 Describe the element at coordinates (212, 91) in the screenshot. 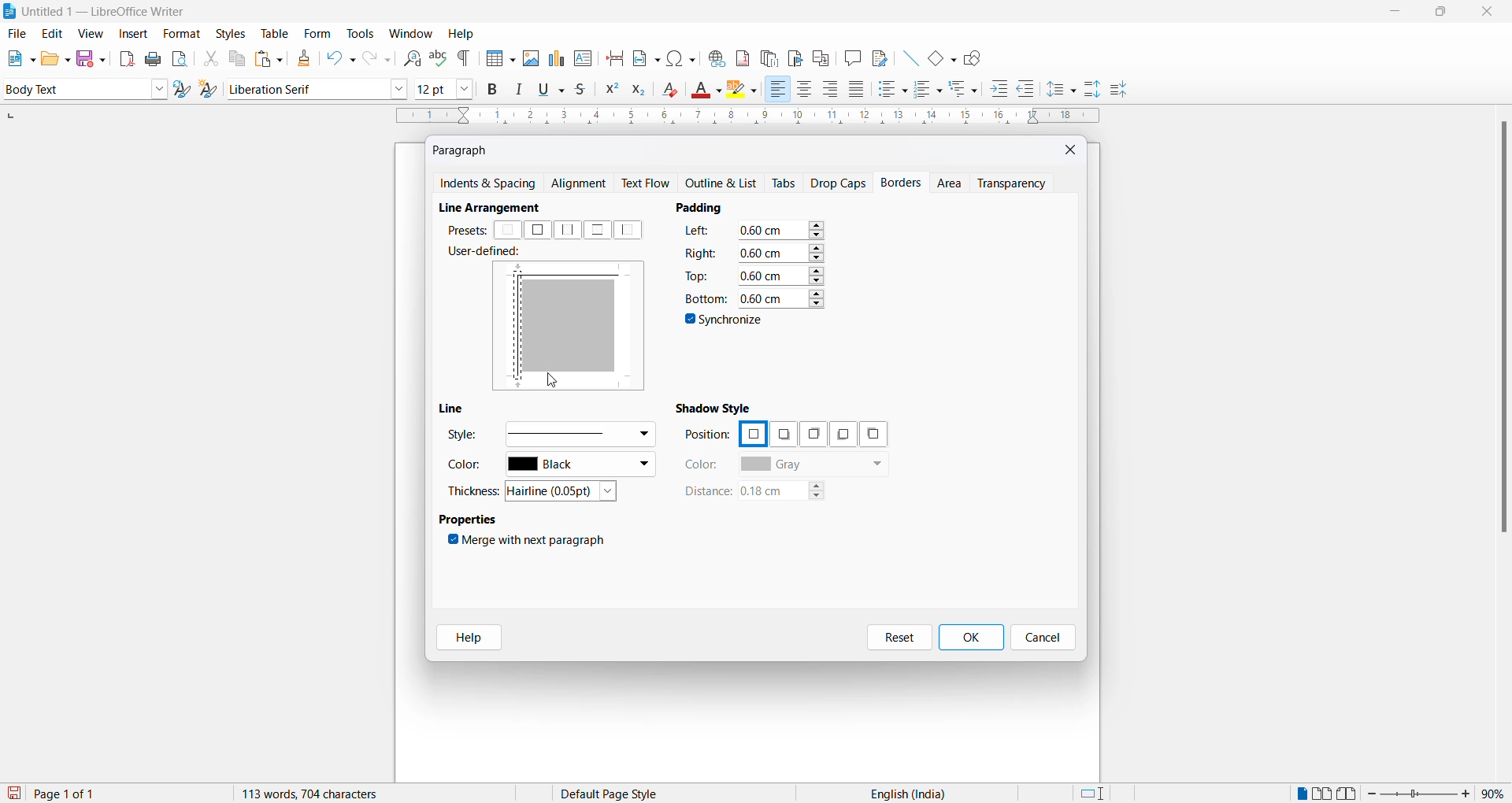

I see `create new style from selection` at that location.